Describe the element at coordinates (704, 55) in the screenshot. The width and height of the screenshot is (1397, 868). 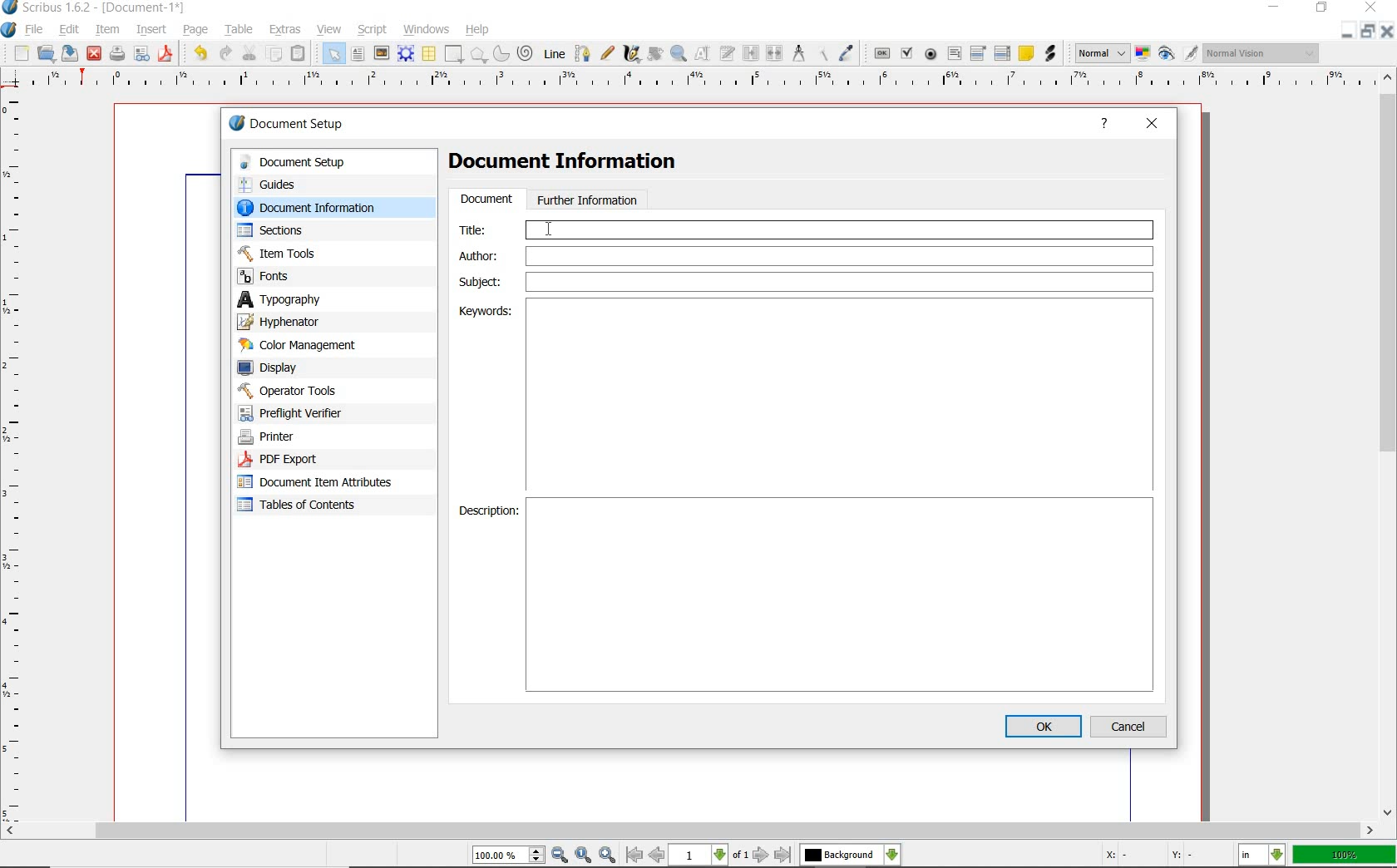
I see `edit contents of frame` at that location.